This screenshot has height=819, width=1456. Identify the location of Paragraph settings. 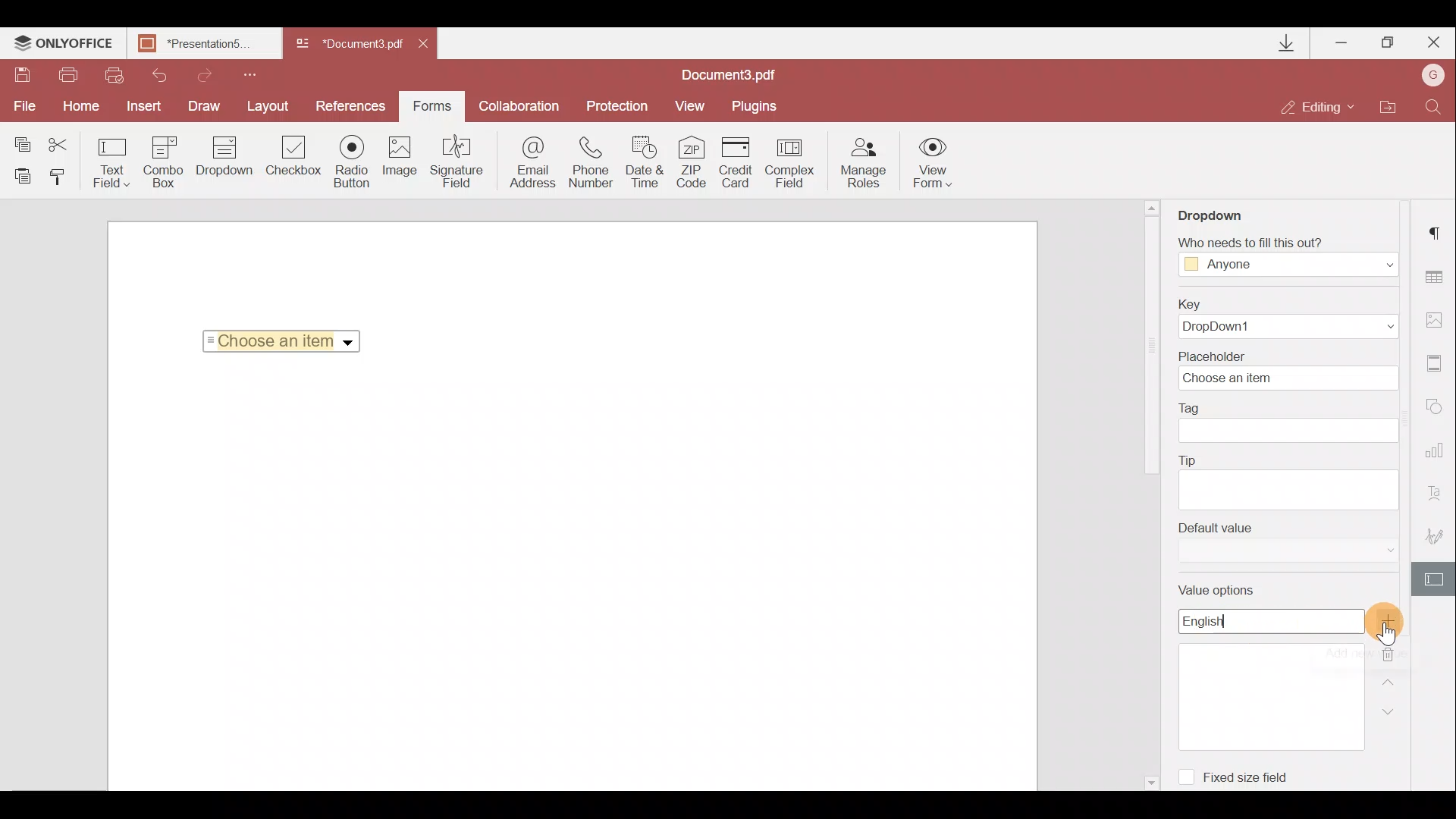
(1438, 228).